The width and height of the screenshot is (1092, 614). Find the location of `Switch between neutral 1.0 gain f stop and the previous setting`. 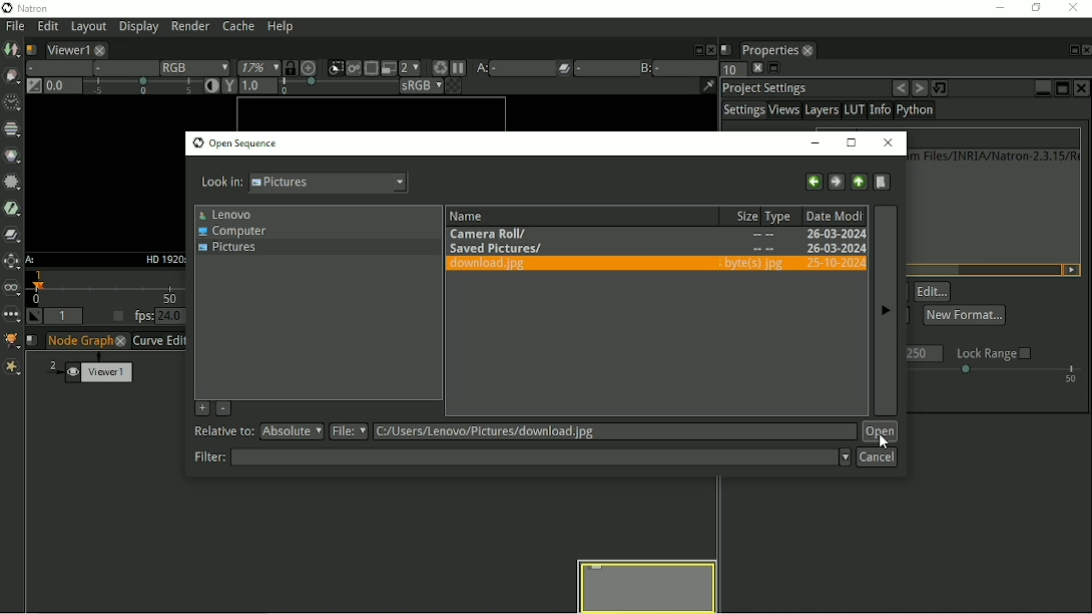

Switch between neutral 1.0 gain f stop and the previous setting is located at coordinates (32, 87).